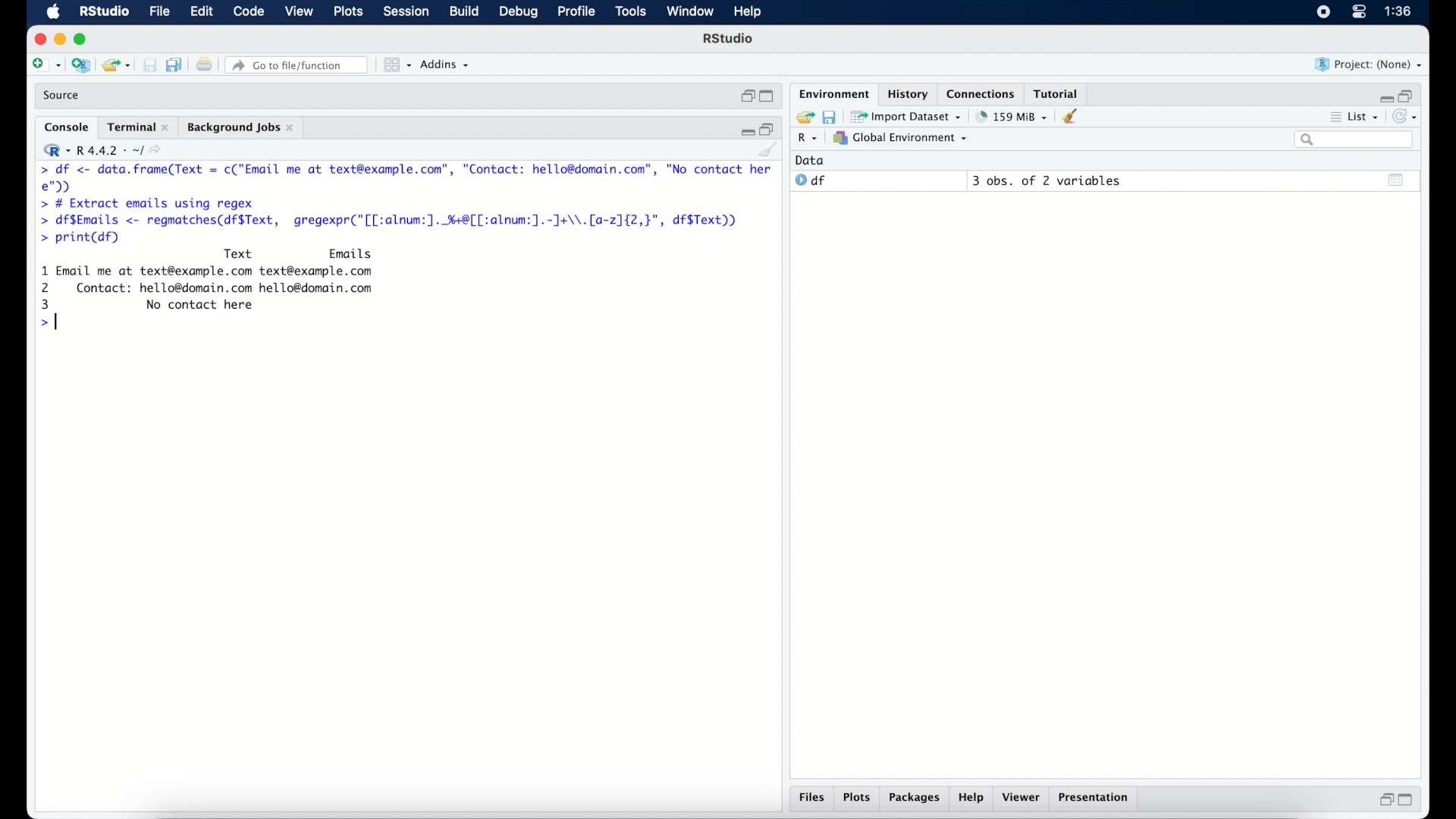 The width and height of the screenshot is (1456, 819). I want to click on print, so click(203, 64).